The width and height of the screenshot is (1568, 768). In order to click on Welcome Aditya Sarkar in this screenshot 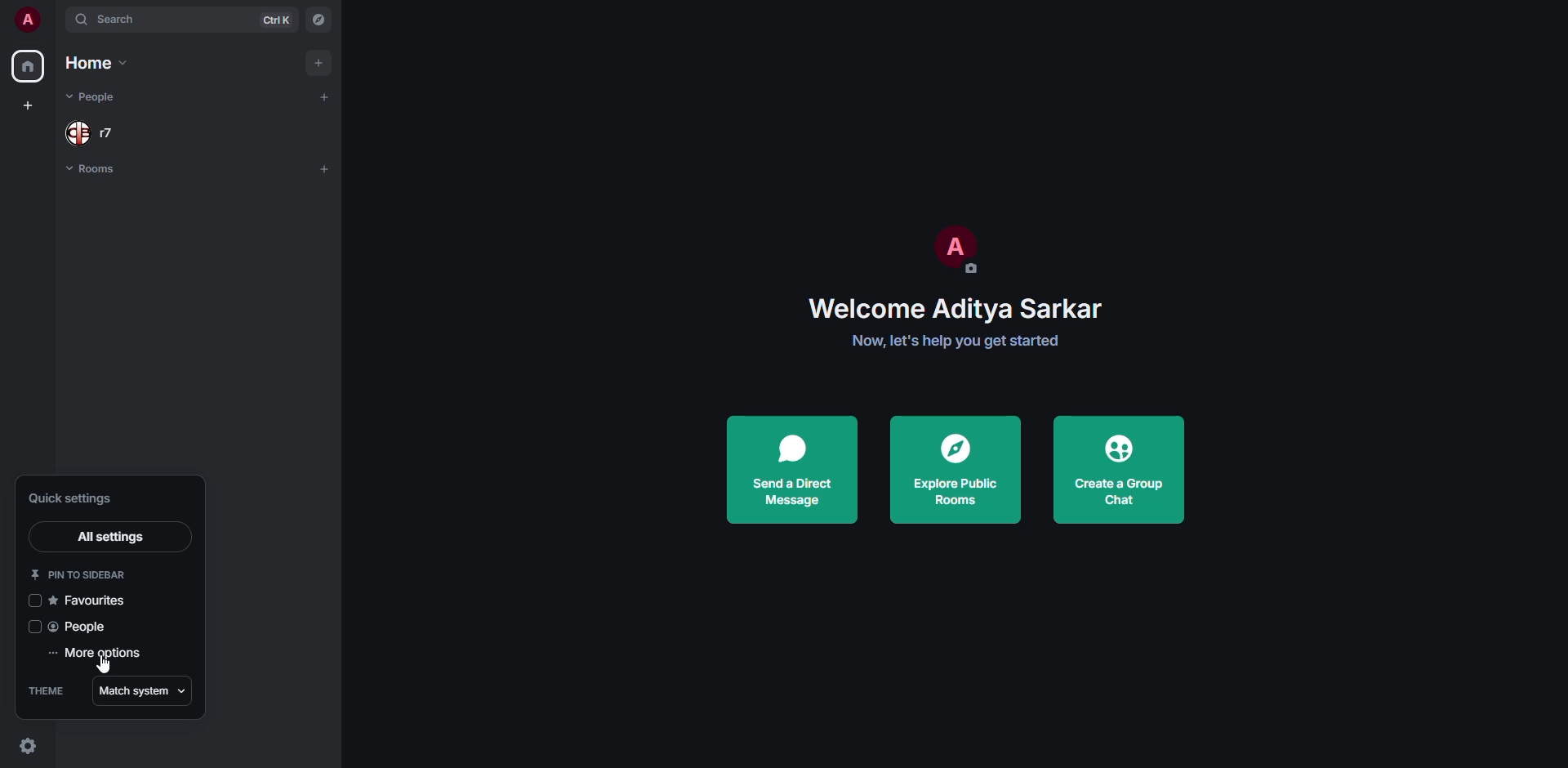, I will do `click(952, 308)`.